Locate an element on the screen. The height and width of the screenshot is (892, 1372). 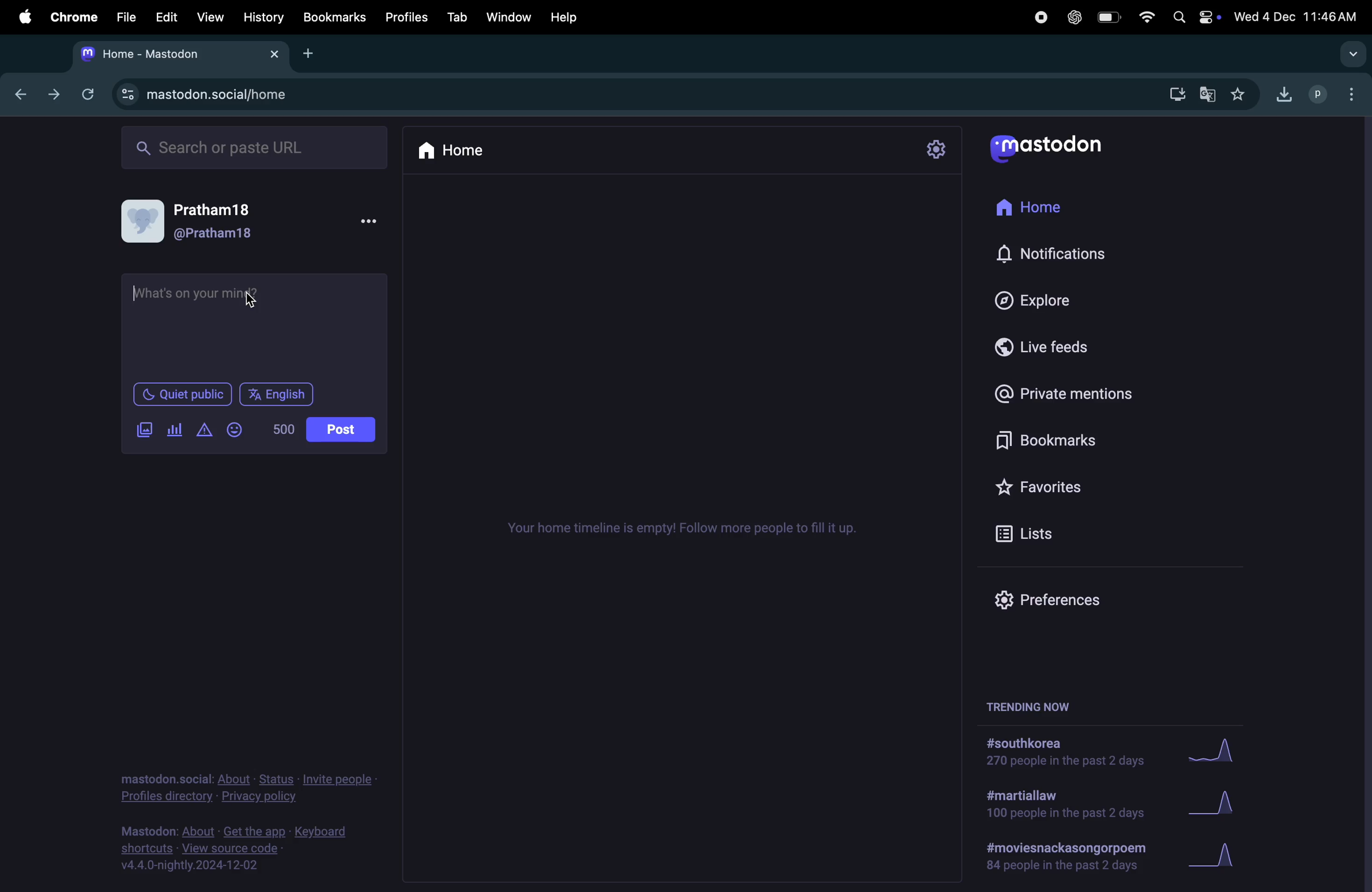
Window is located at coordinates (506, 18).